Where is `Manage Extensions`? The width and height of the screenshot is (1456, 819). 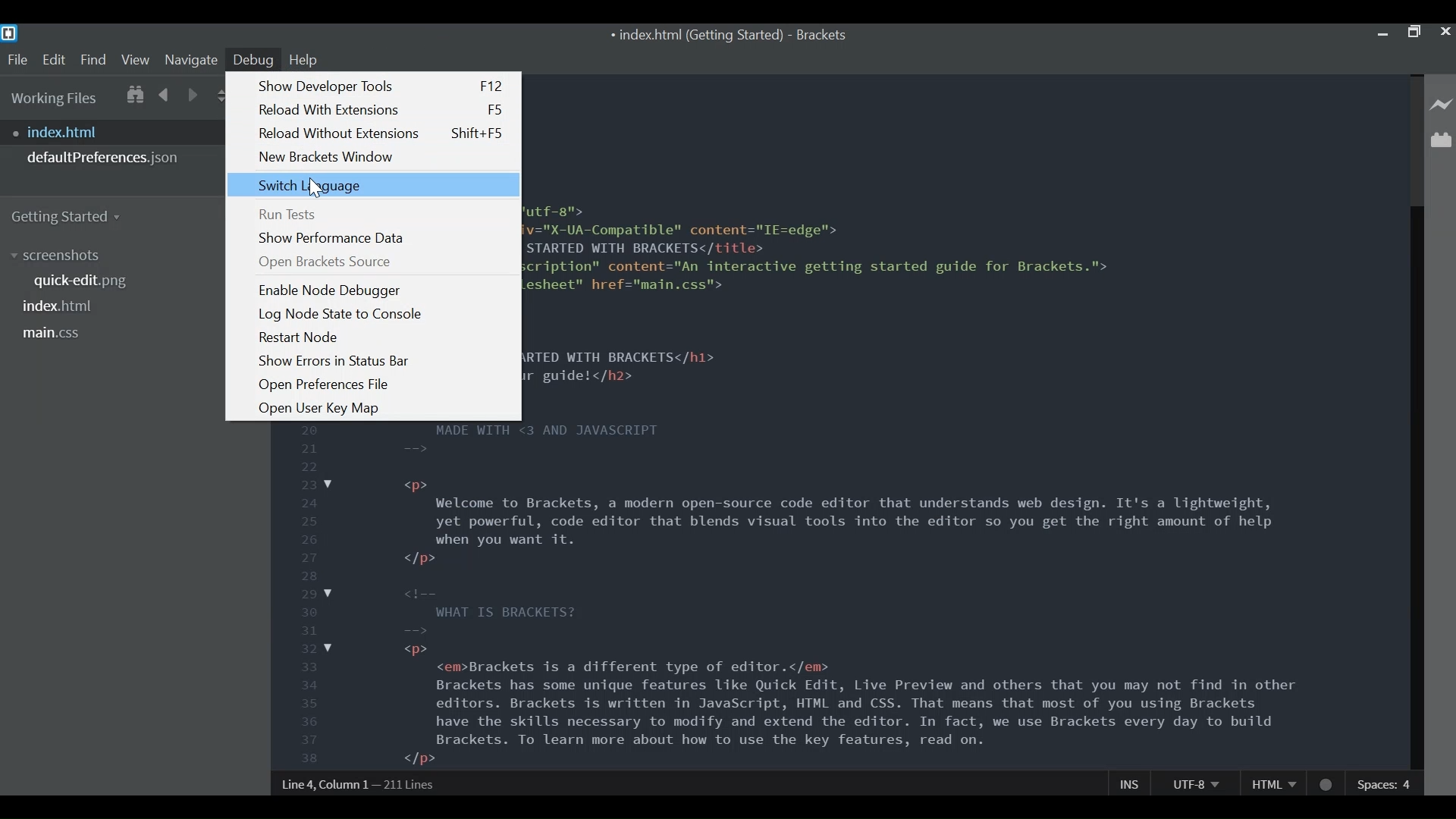 Manage Extensions is located at coordinates (1441, 140).